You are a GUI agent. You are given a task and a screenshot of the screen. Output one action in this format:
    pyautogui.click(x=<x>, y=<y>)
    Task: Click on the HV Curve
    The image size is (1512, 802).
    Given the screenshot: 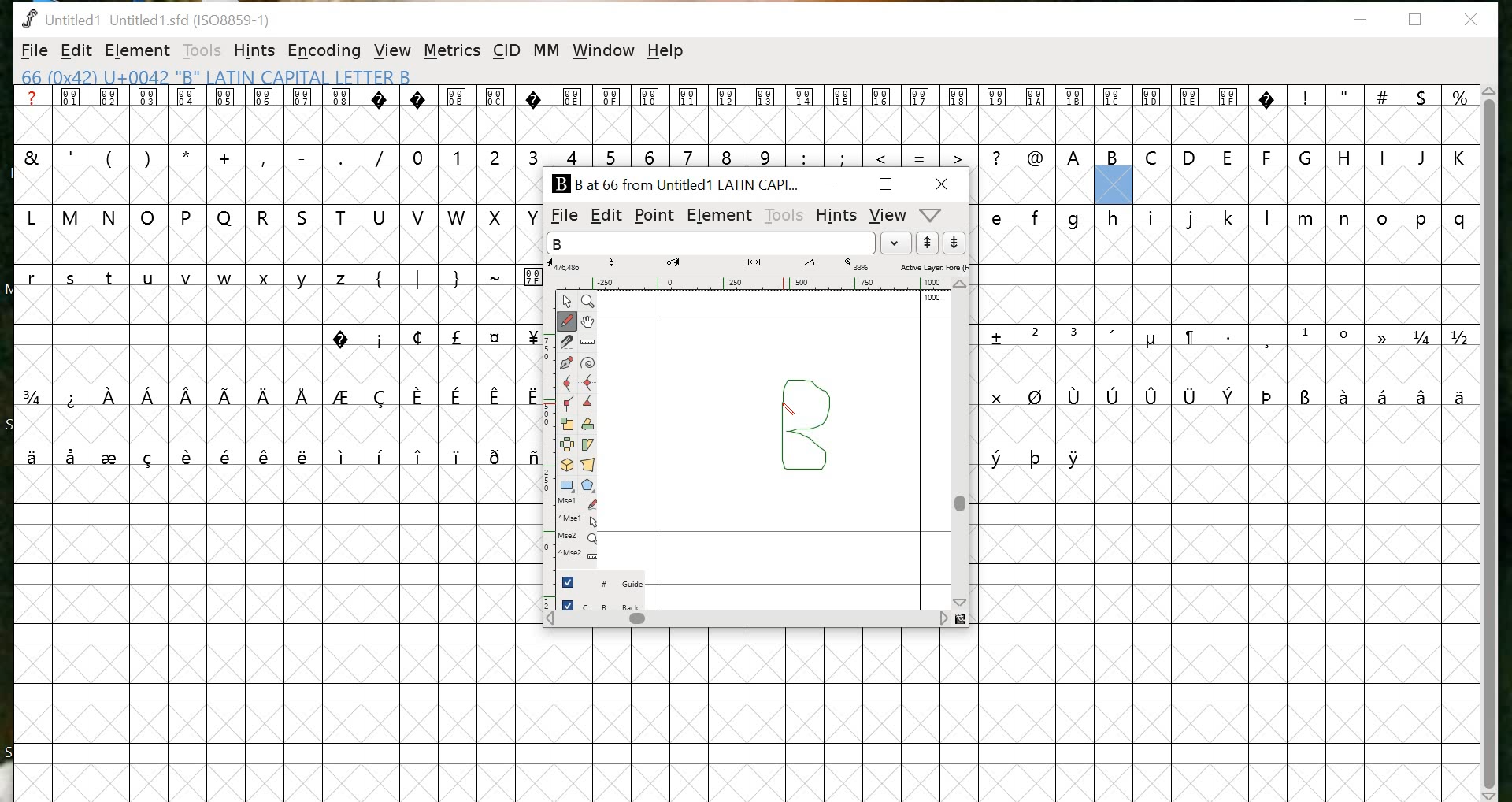 What is the action you would take?
    pyautogui.click(x=589, y=384)
    